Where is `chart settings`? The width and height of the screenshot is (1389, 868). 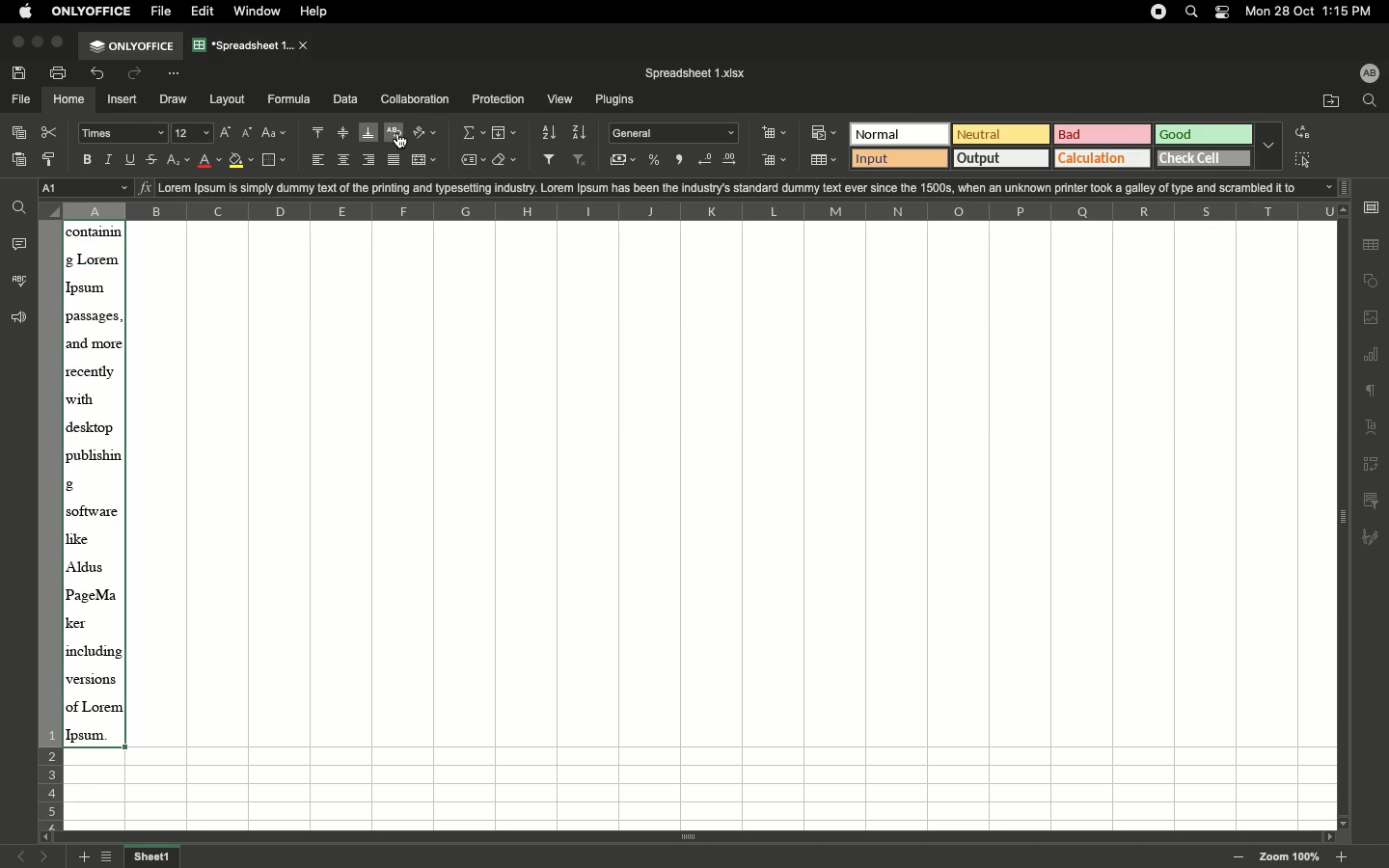
chart settings is located at coordinates (1372, 356).